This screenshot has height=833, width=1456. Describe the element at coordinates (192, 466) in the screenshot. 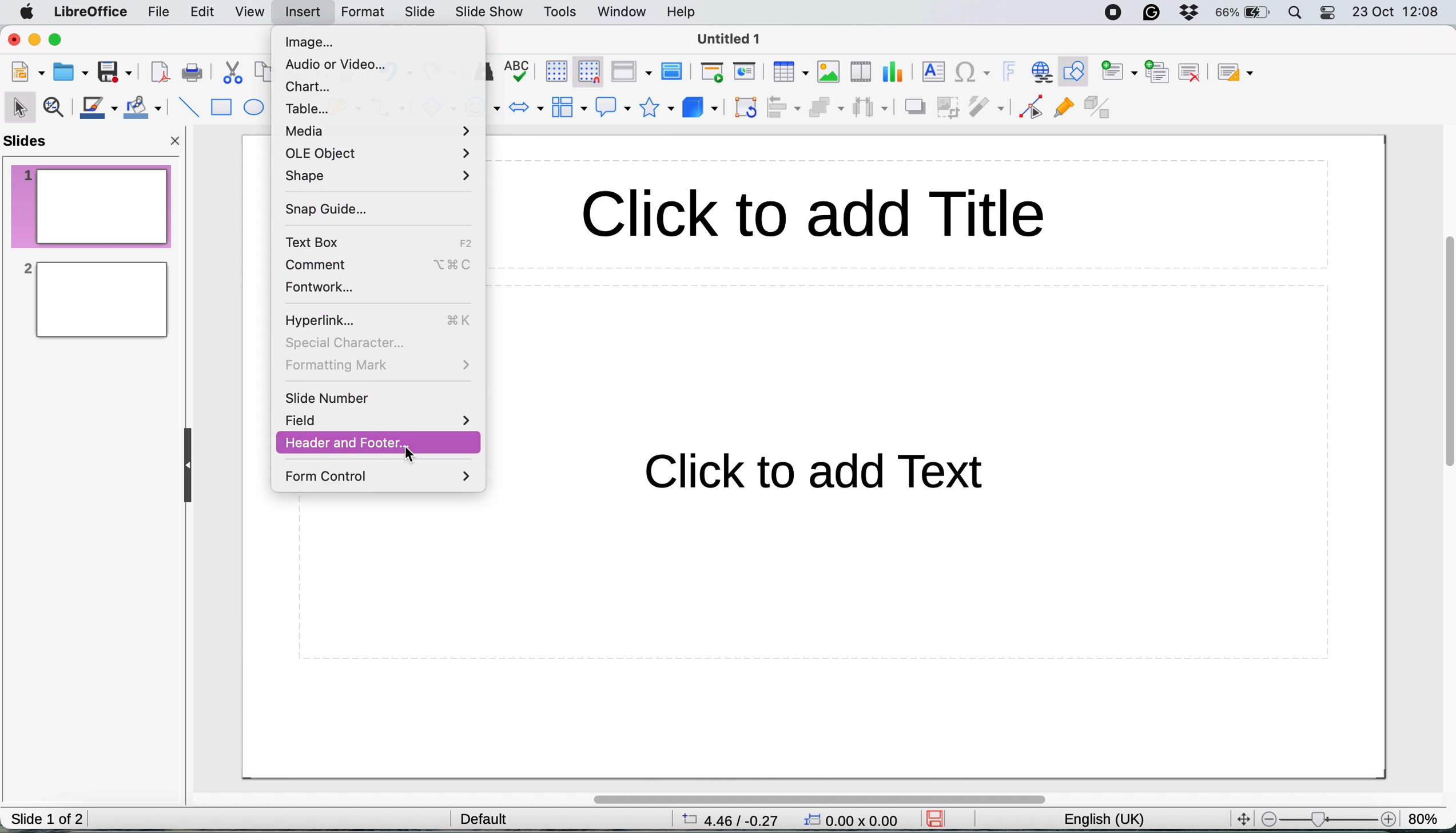

I see `collapse` at that location.